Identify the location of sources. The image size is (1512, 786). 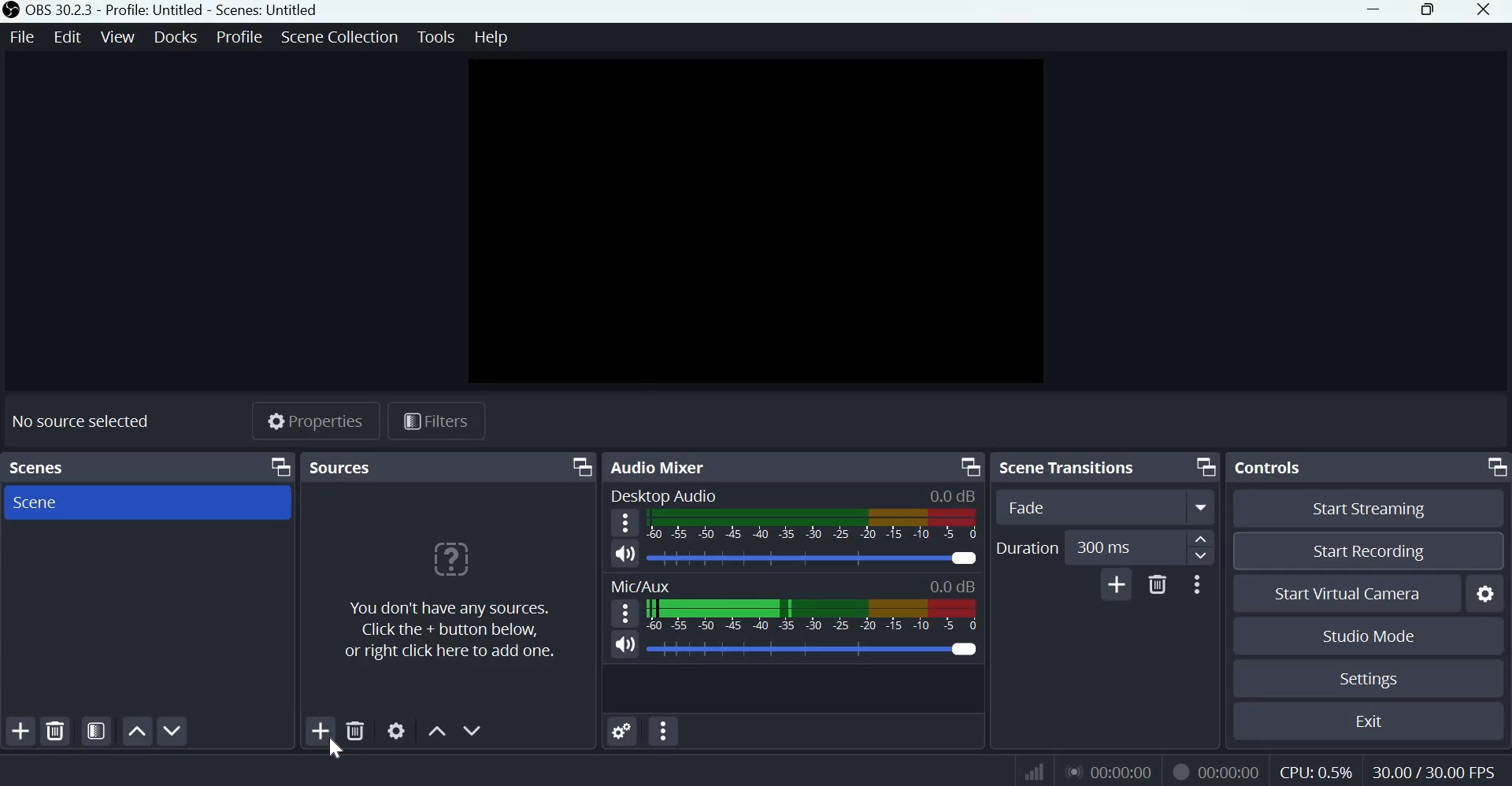
(355, 467).